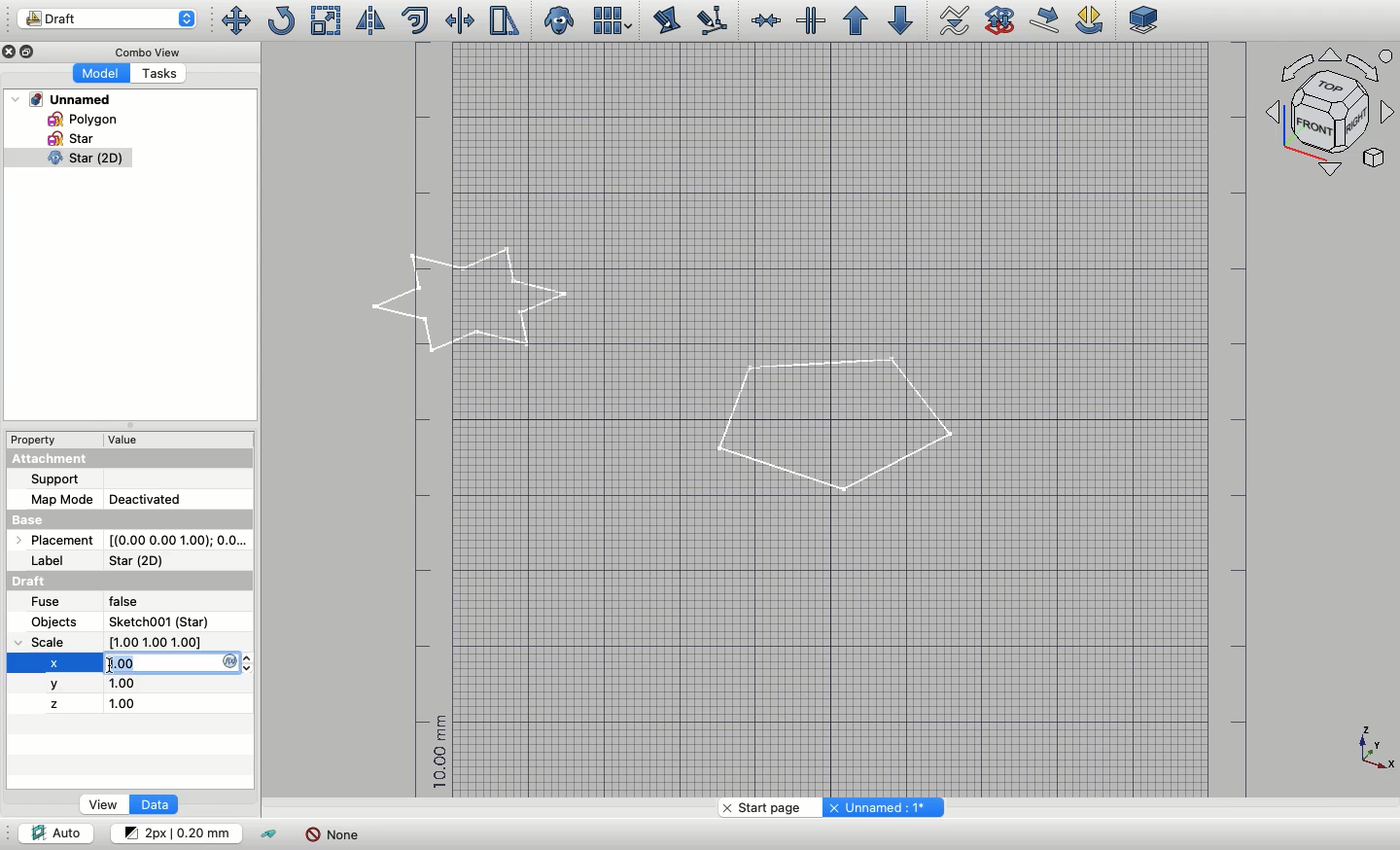  What do you see at coordinates (159, 621) in the screenshot?
I see `Sketch001 (Star)` at bounding box center [159, 621].